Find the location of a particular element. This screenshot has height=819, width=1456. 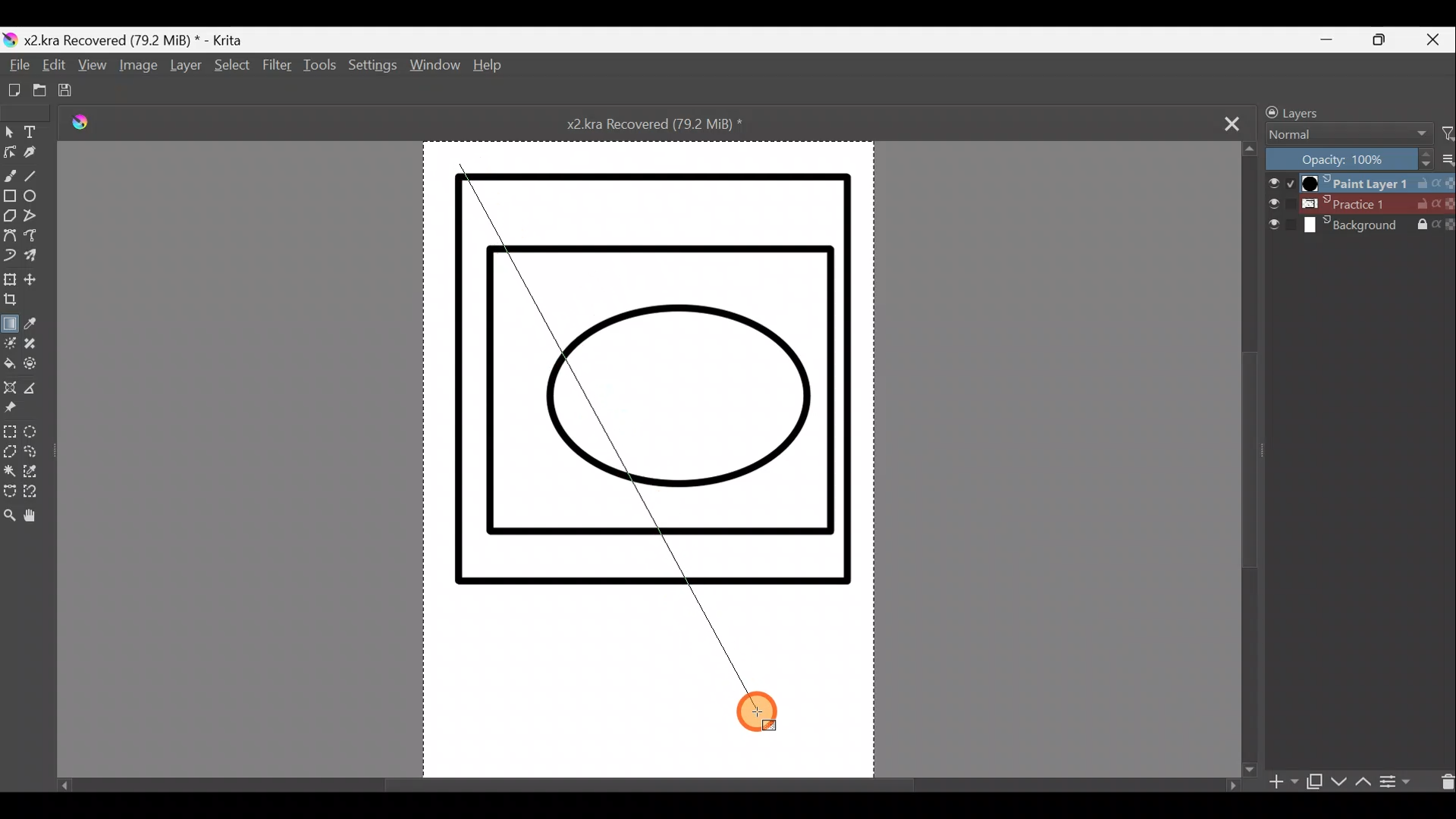

Crop the image to an area is located at coordinates (14, 302).